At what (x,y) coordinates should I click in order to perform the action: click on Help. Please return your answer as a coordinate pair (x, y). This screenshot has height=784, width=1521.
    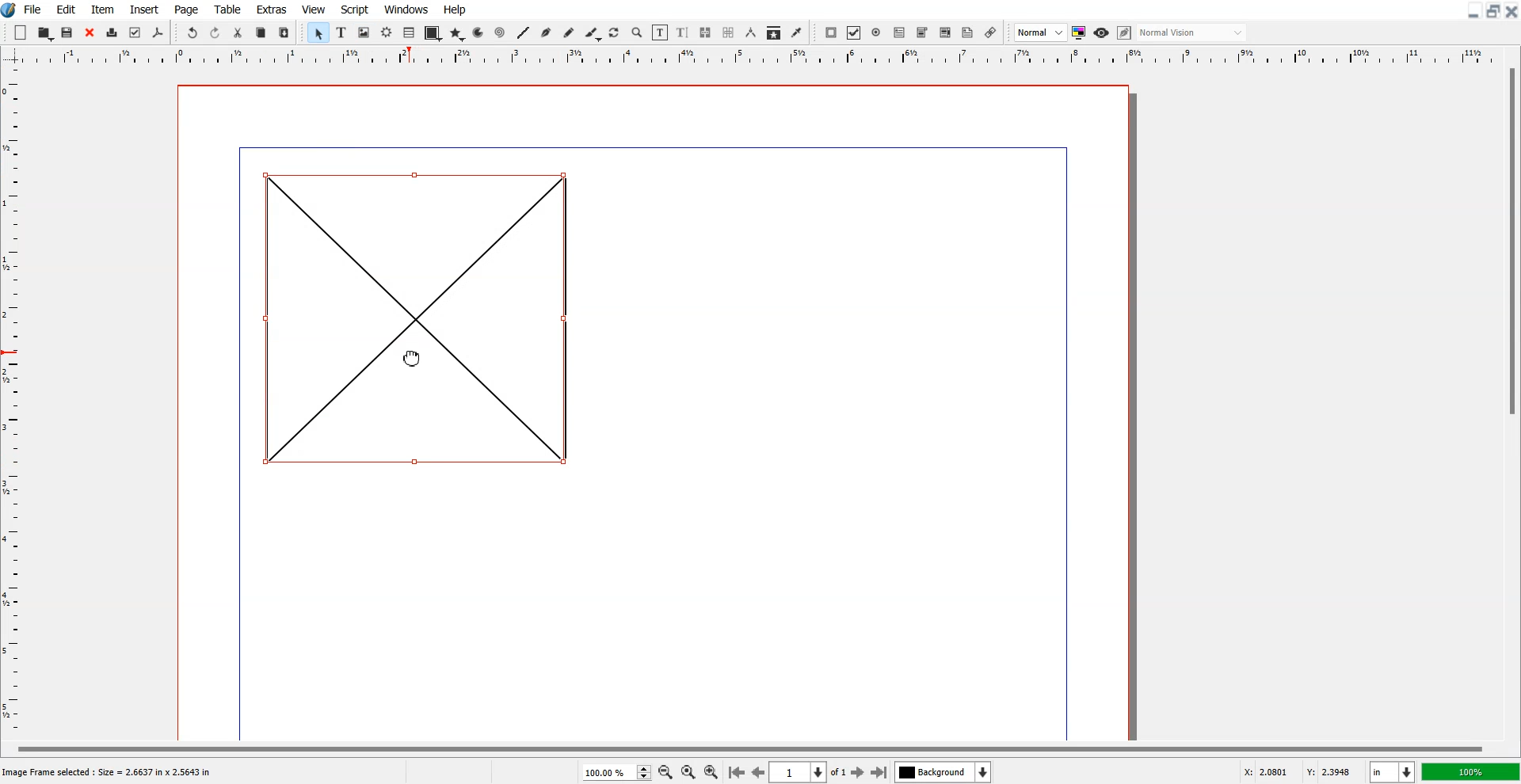
    Looking at the image, I should click on (456, 10).